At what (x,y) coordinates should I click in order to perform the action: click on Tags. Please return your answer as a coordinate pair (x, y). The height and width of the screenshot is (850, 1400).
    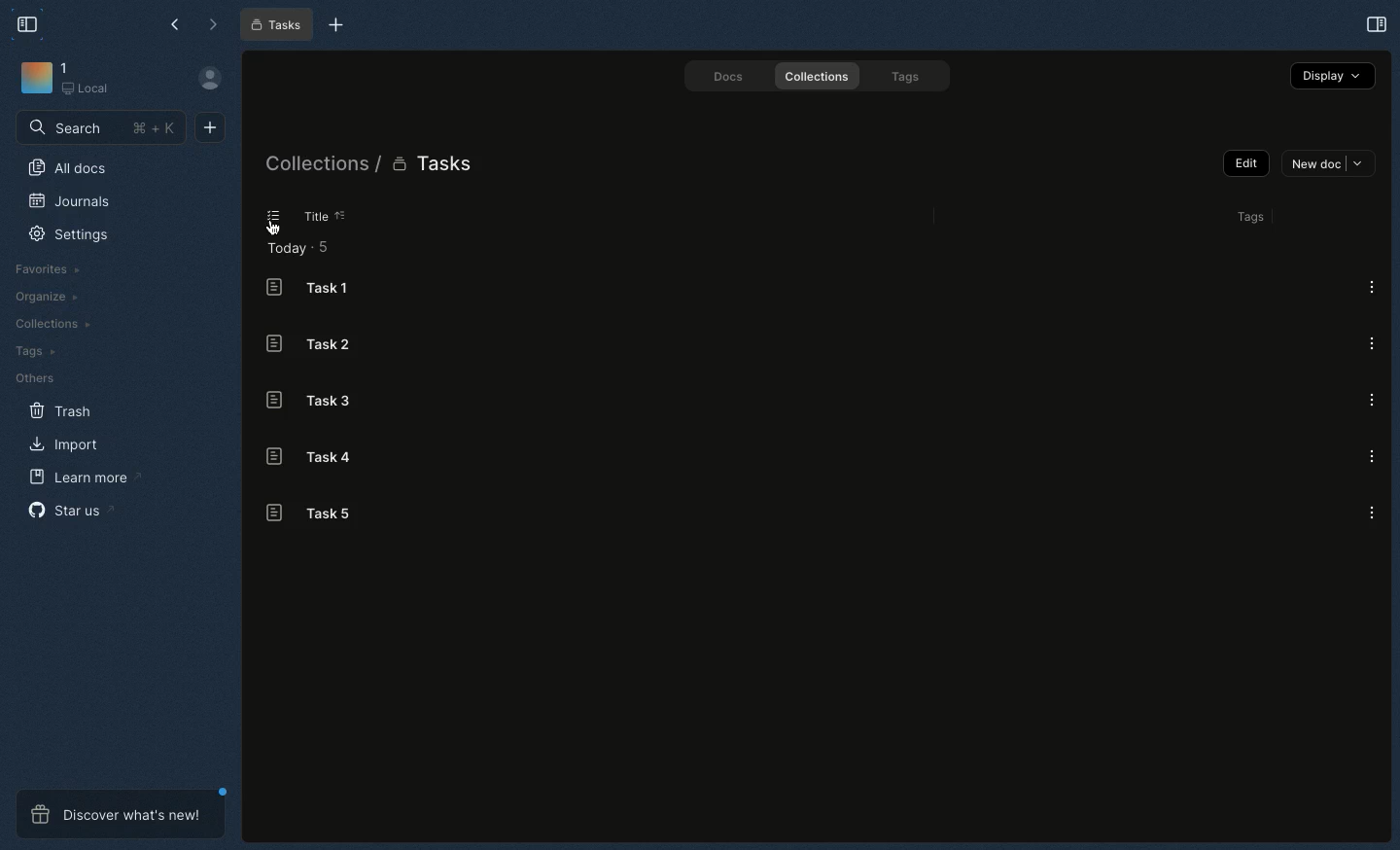
    Looking at the image, I should click on (912, 76).